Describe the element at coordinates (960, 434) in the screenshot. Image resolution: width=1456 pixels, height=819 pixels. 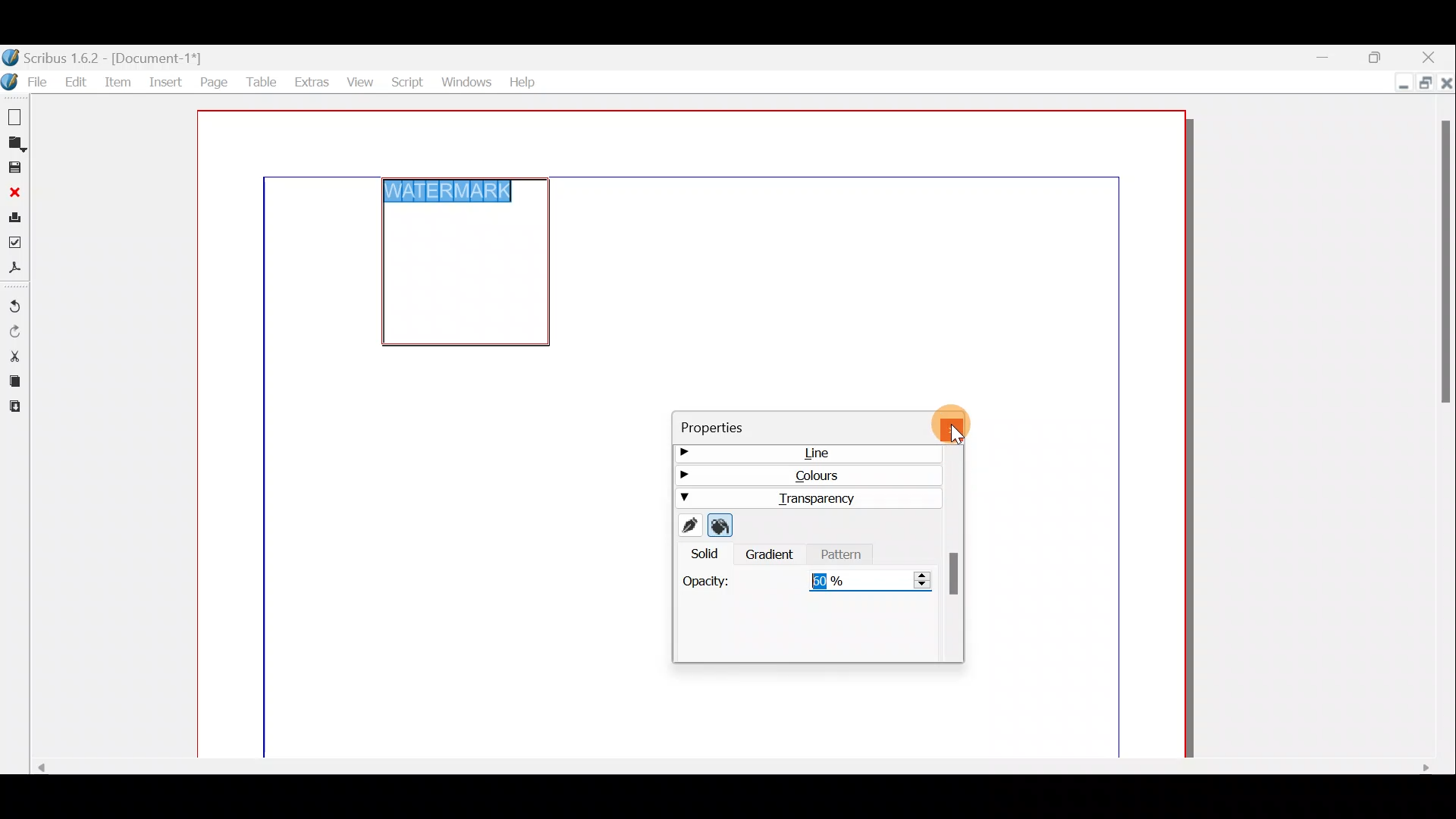
I see `Cursor` at that location.